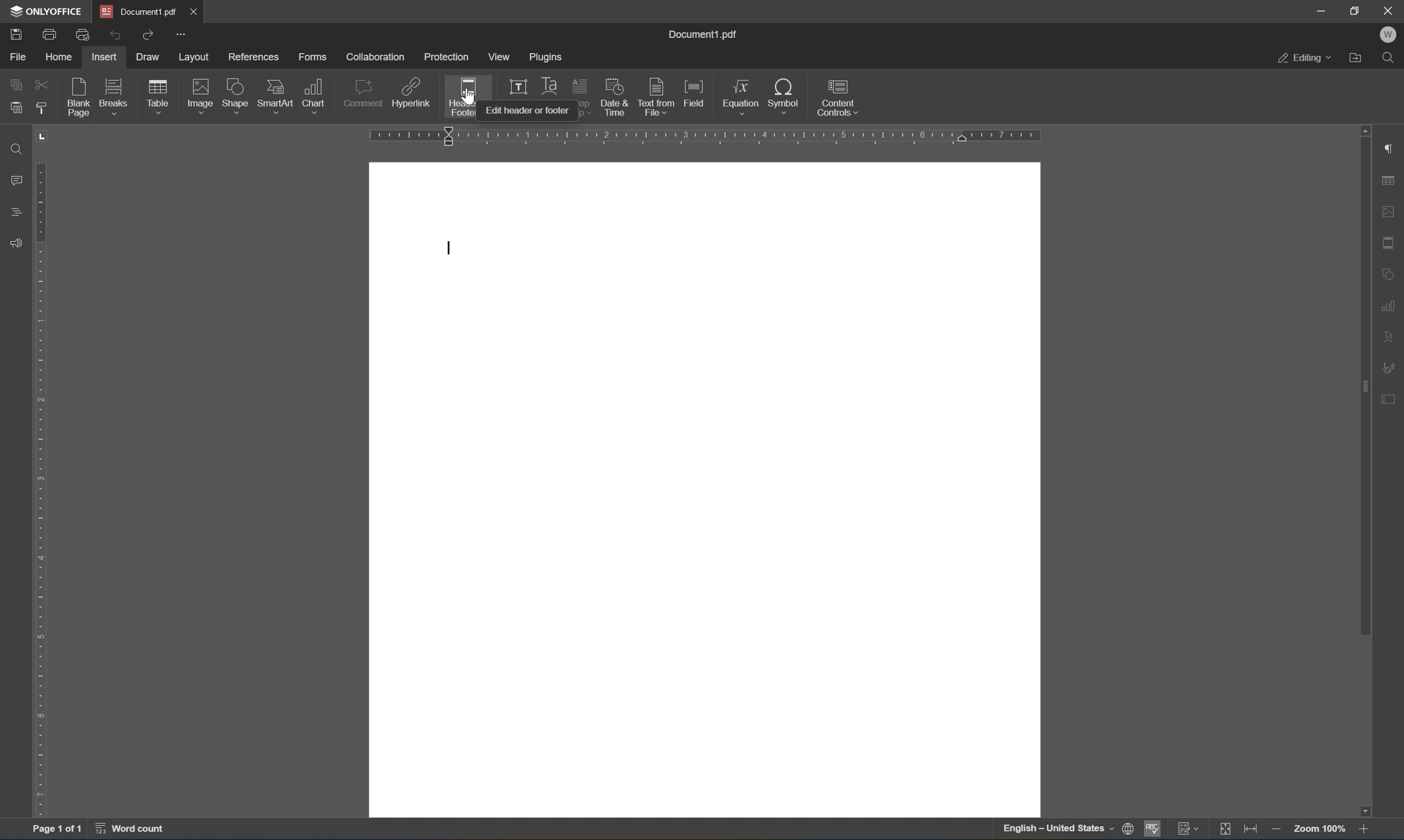  Describe the element at coordinates (41, 488) in the screenshot. I see `ruler` at that location.